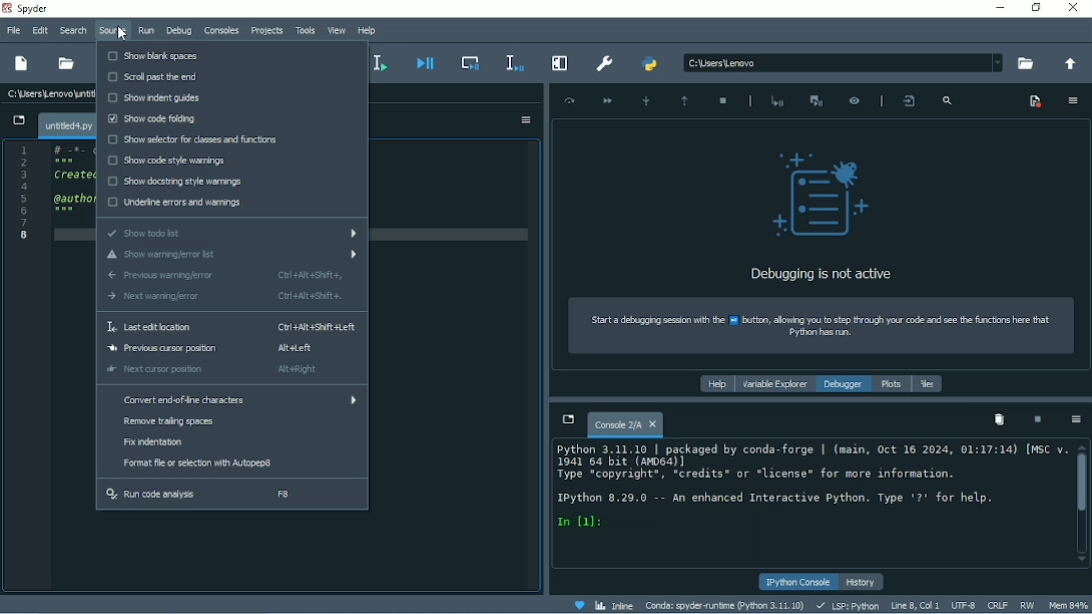  I want to click on Vertical scrollbar, so click(1081, 485).